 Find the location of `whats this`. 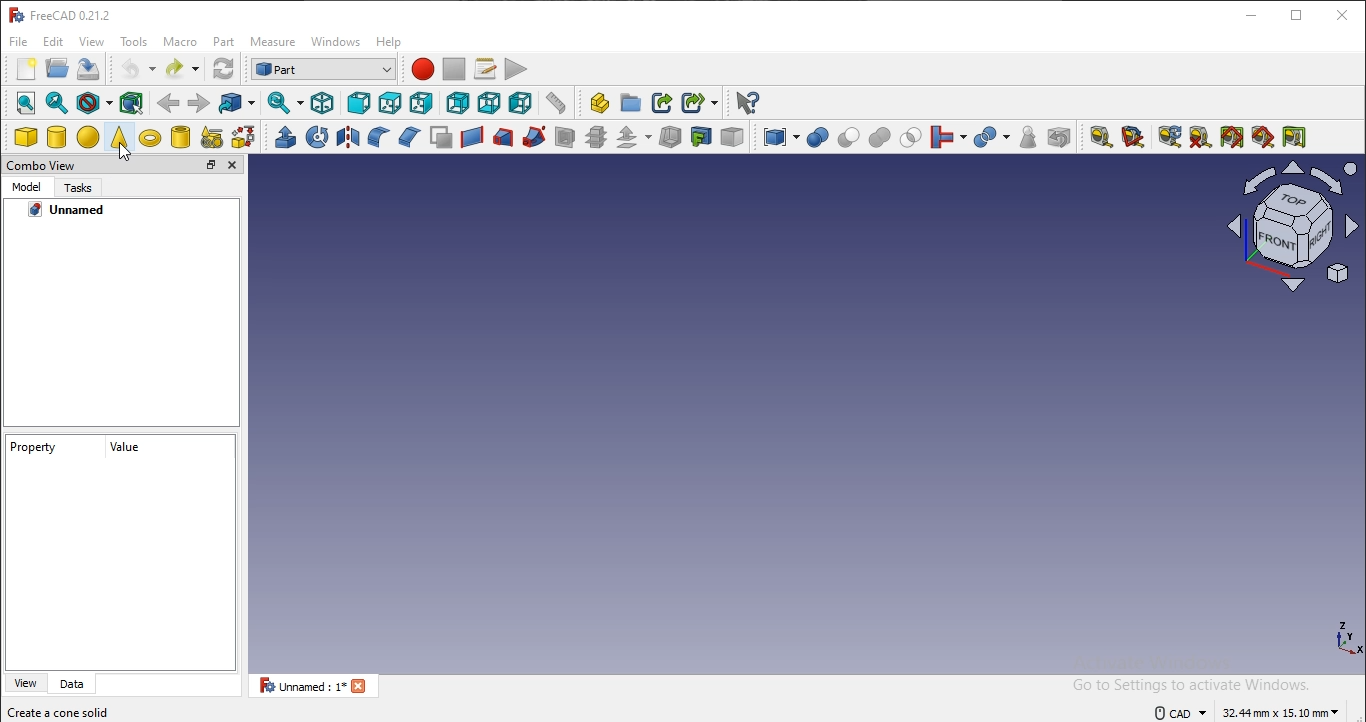

whats this is located at coordinates (748, 103).